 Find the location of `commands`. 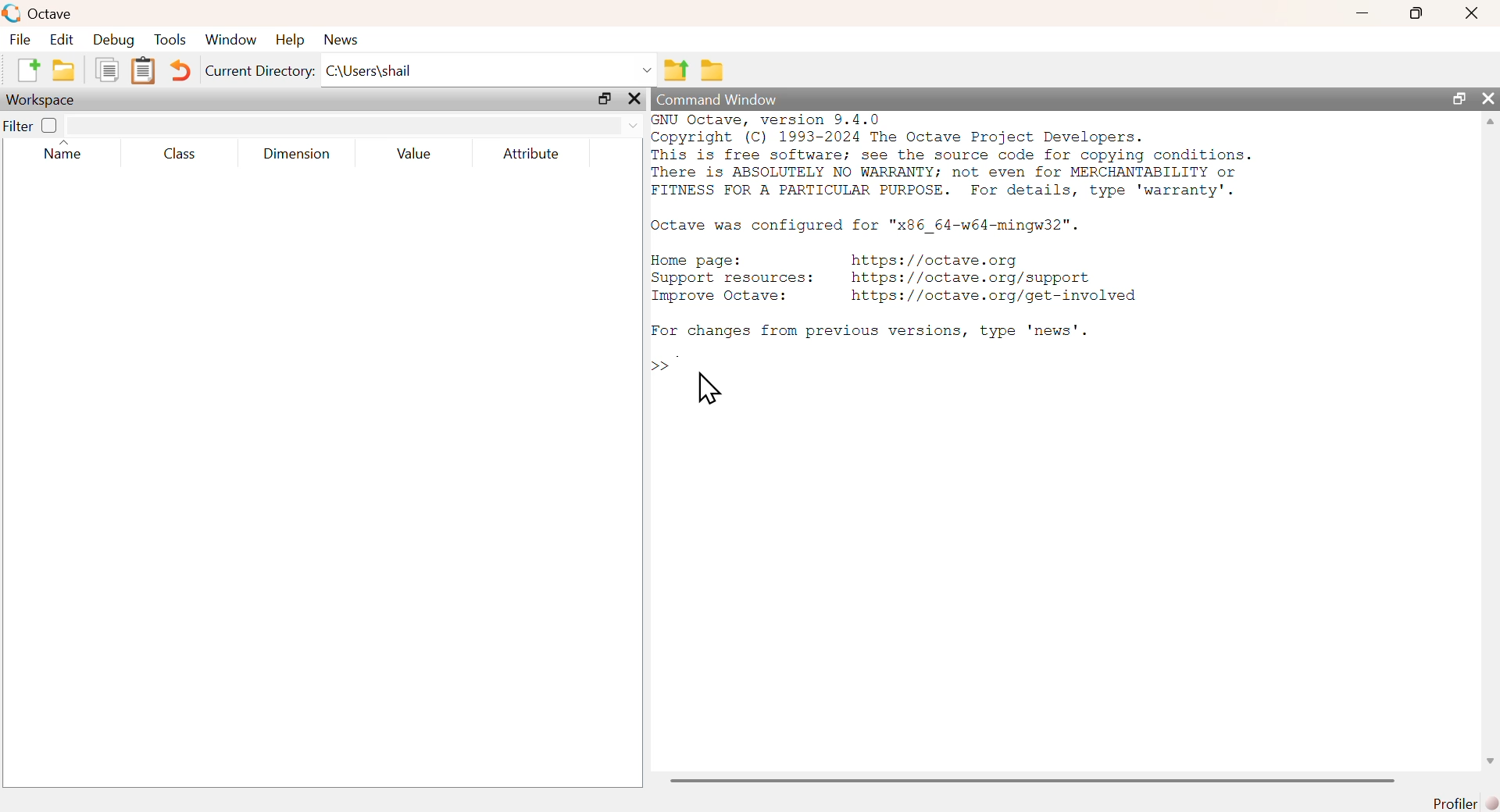

commands is located at coordinates (959, 248).